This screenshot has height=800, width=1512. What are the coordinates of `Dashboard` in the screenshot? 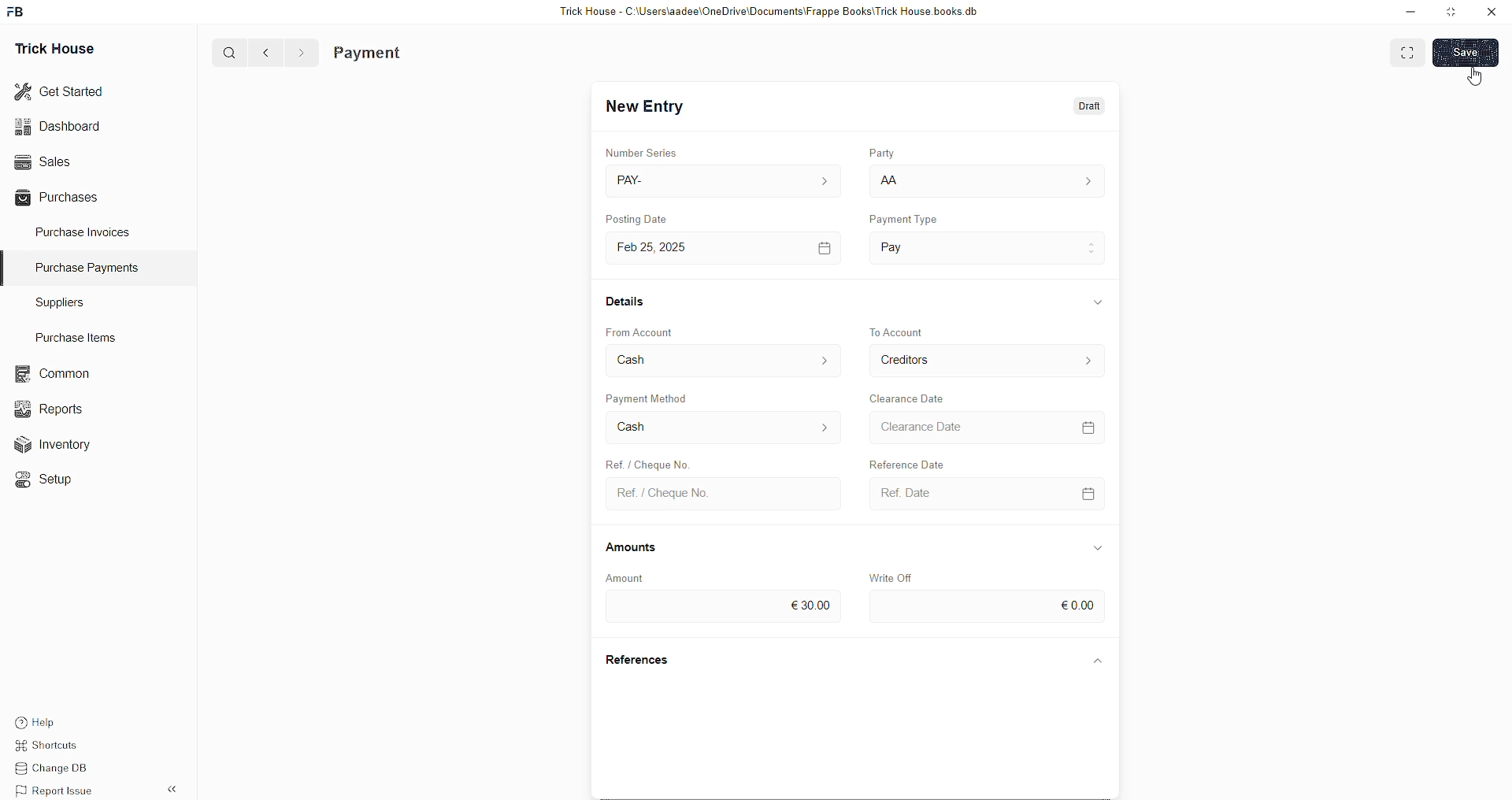 It's located at (61, 126).